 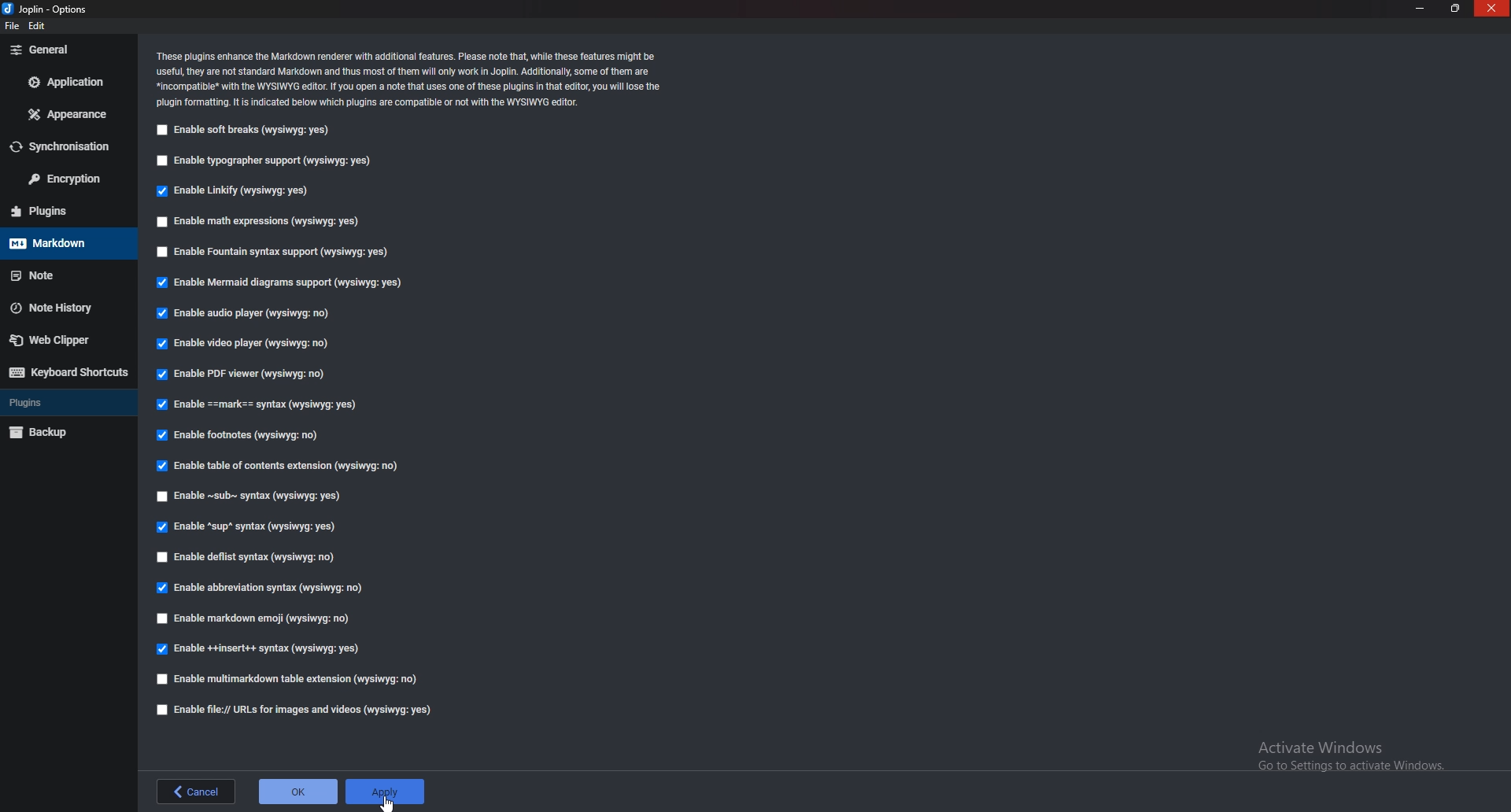 I want to click on enable soft breaks, so click(x=249, y=130).